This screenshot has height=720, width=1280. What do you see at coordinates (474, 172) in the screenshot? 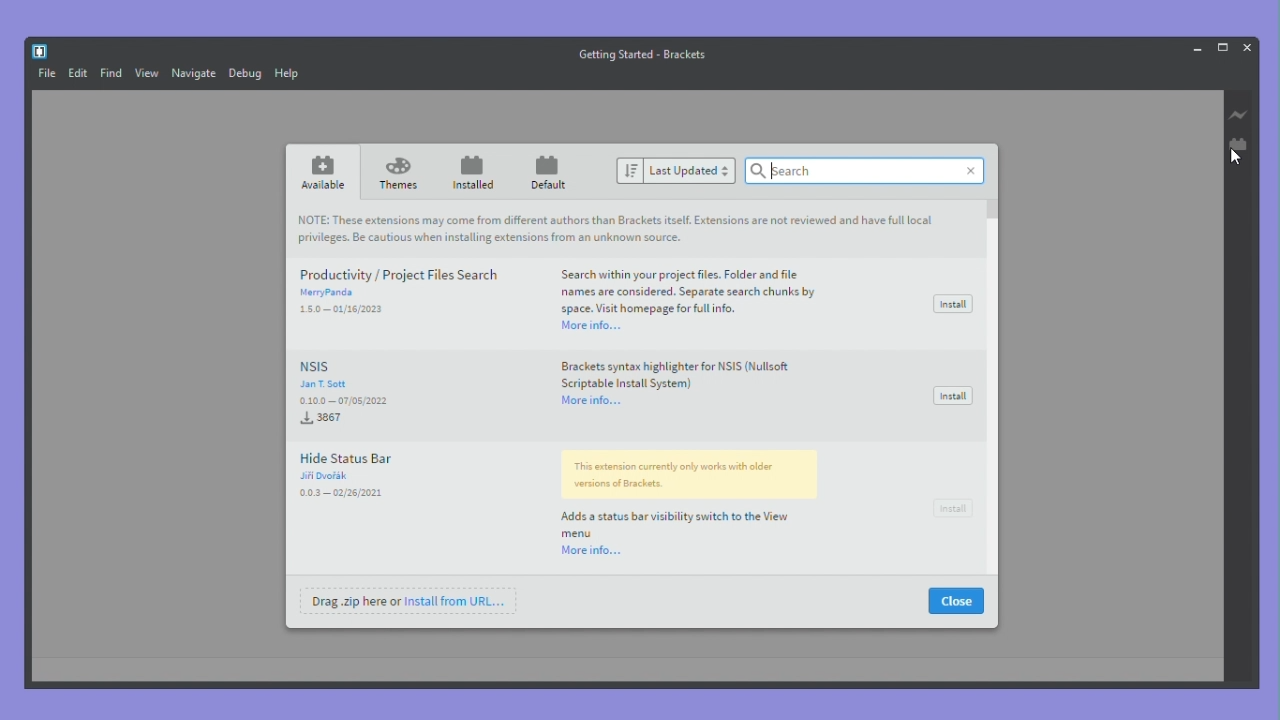
I see `Installed` at bounding box center [474, 172].